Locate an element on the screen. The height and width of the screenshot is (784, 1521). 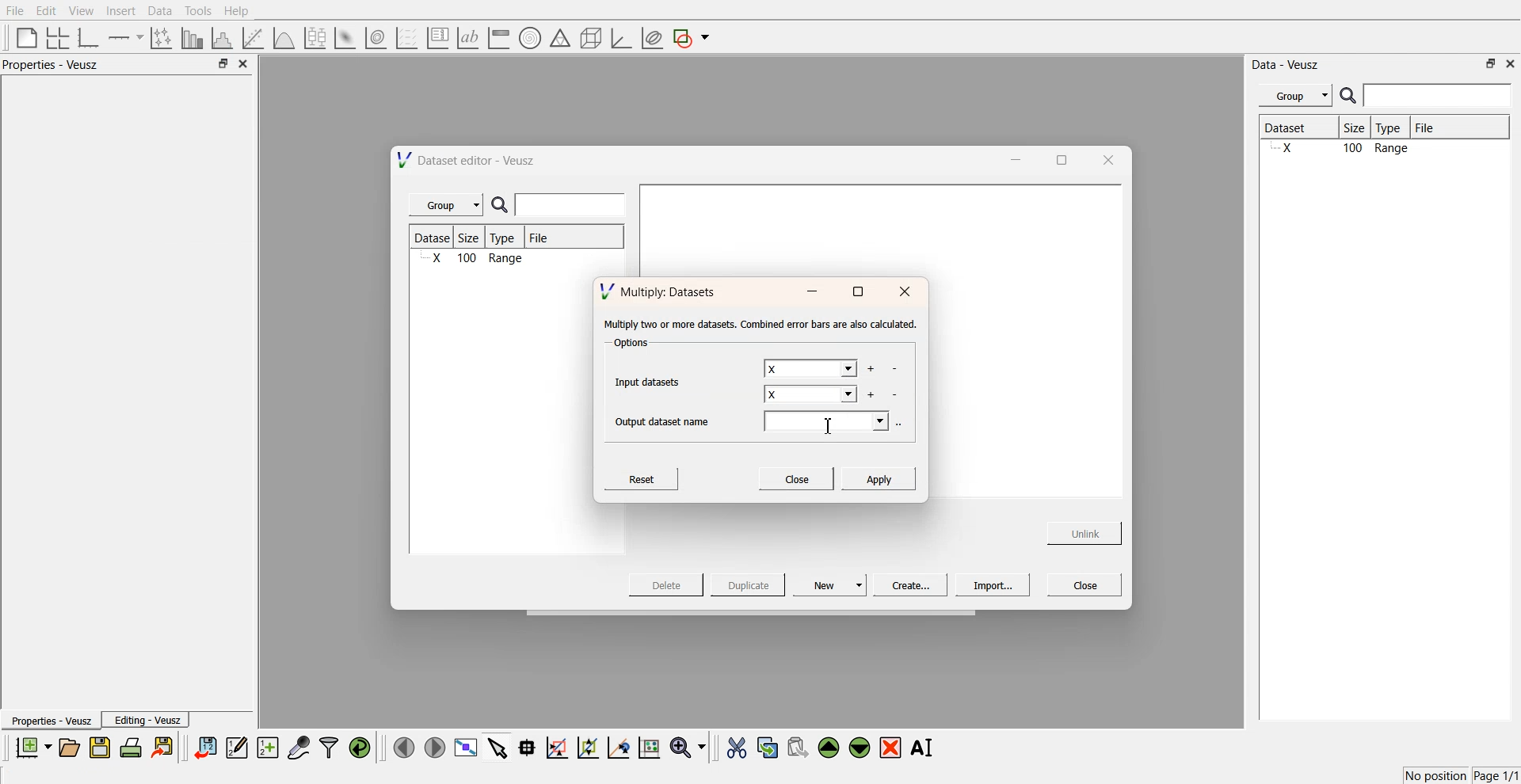
new documents is located at coordinates (32, 747).